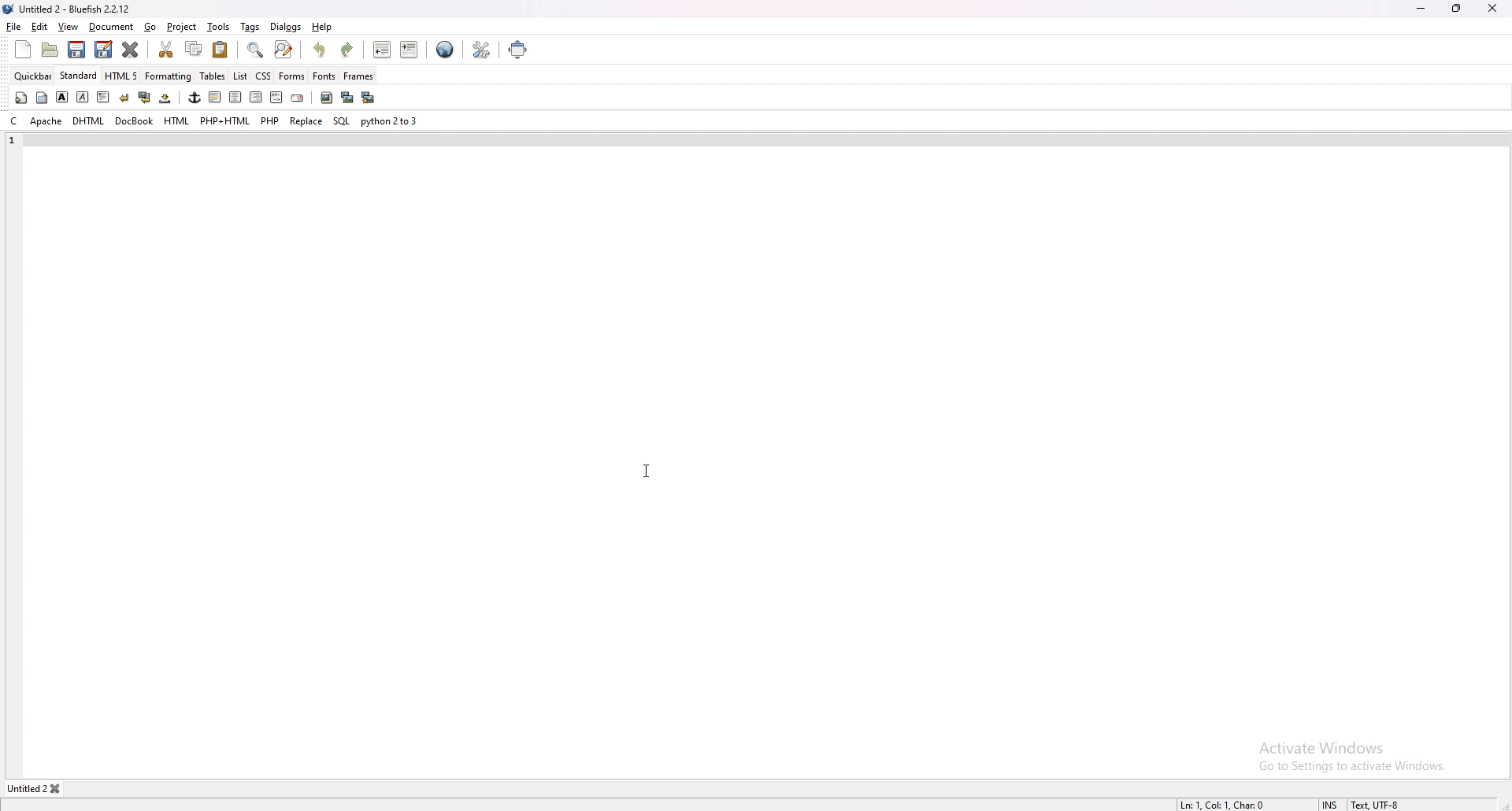 This screenshot has width=1512, height=811. I want to click on tab, so click(25, 789).